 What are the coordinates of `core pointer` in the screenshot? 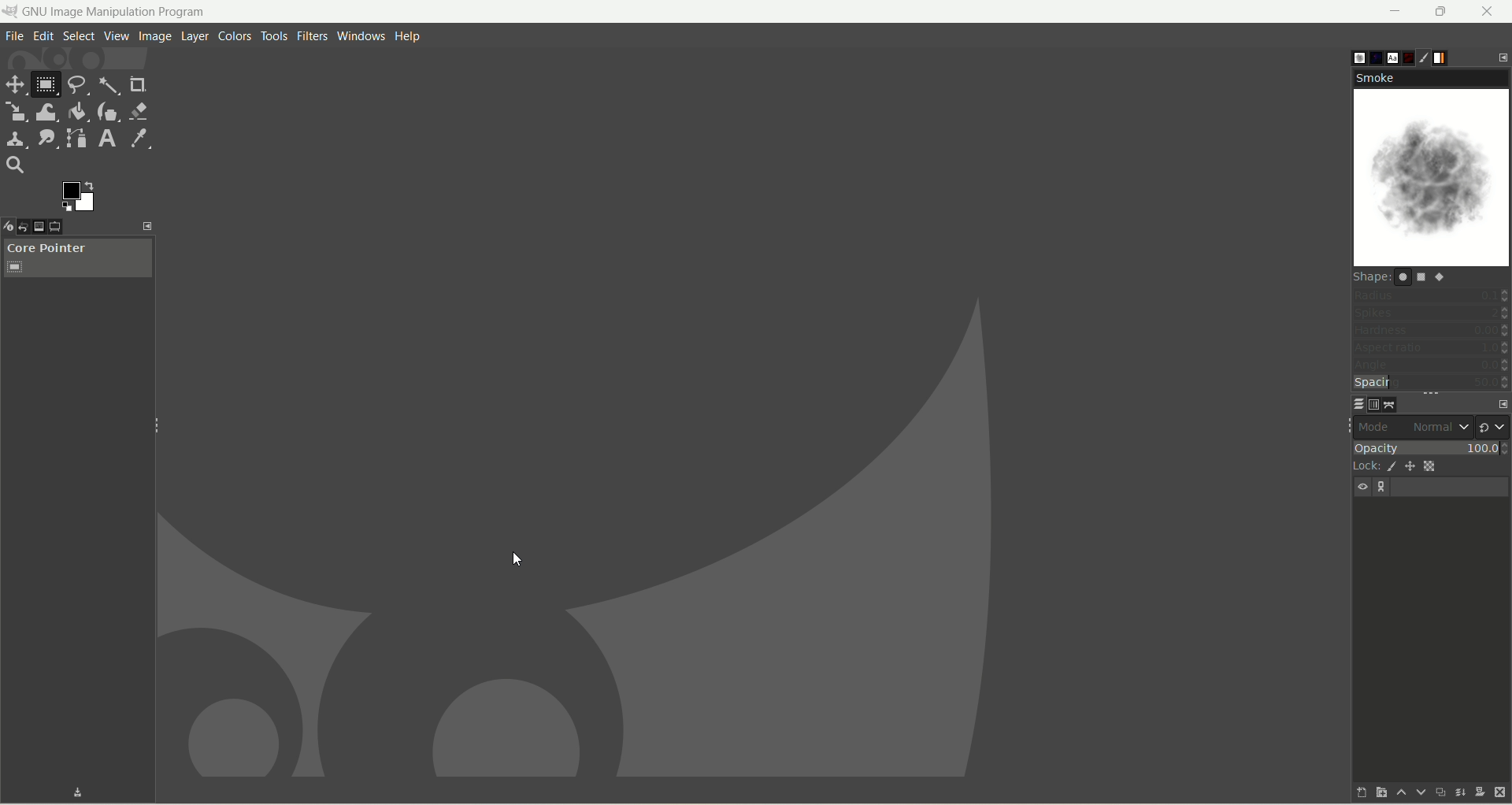 It's located at (78, 258).